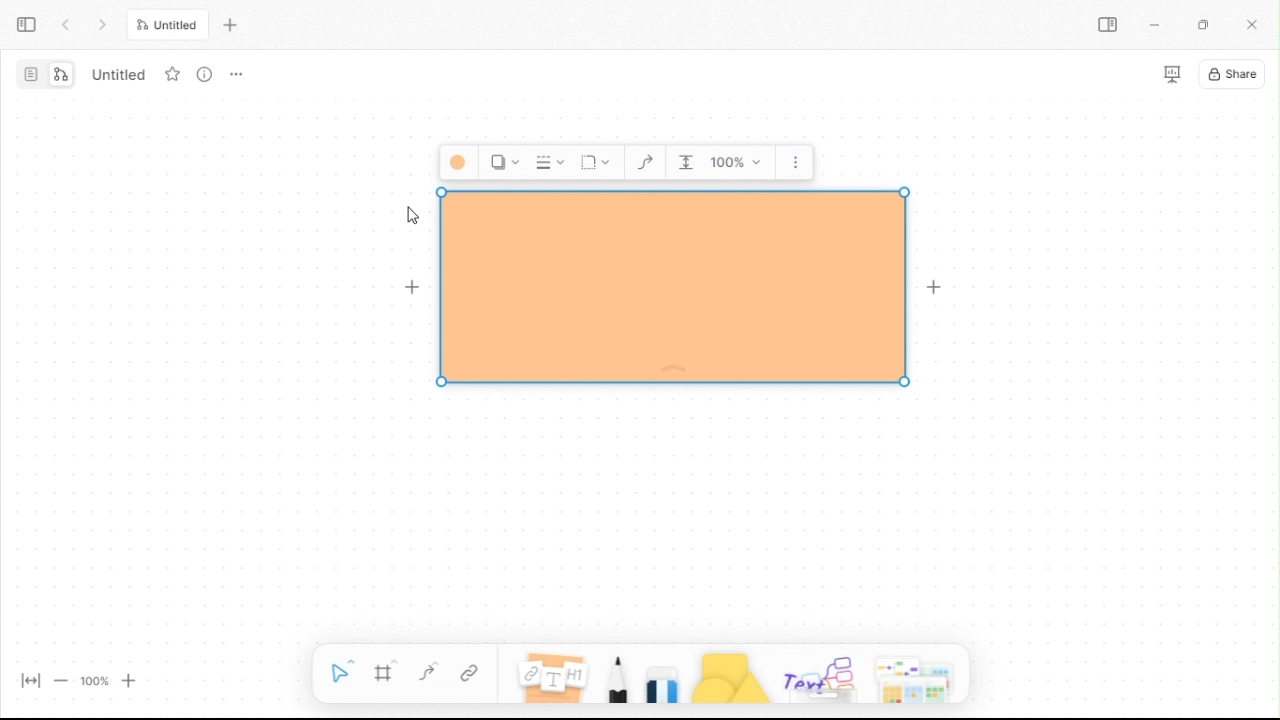 The width and height of the screenshot is (1280, 720). What do you see at coordinates (686, 163) in the screenshot?
I see `Indentation` at bounding box center [686, 163].